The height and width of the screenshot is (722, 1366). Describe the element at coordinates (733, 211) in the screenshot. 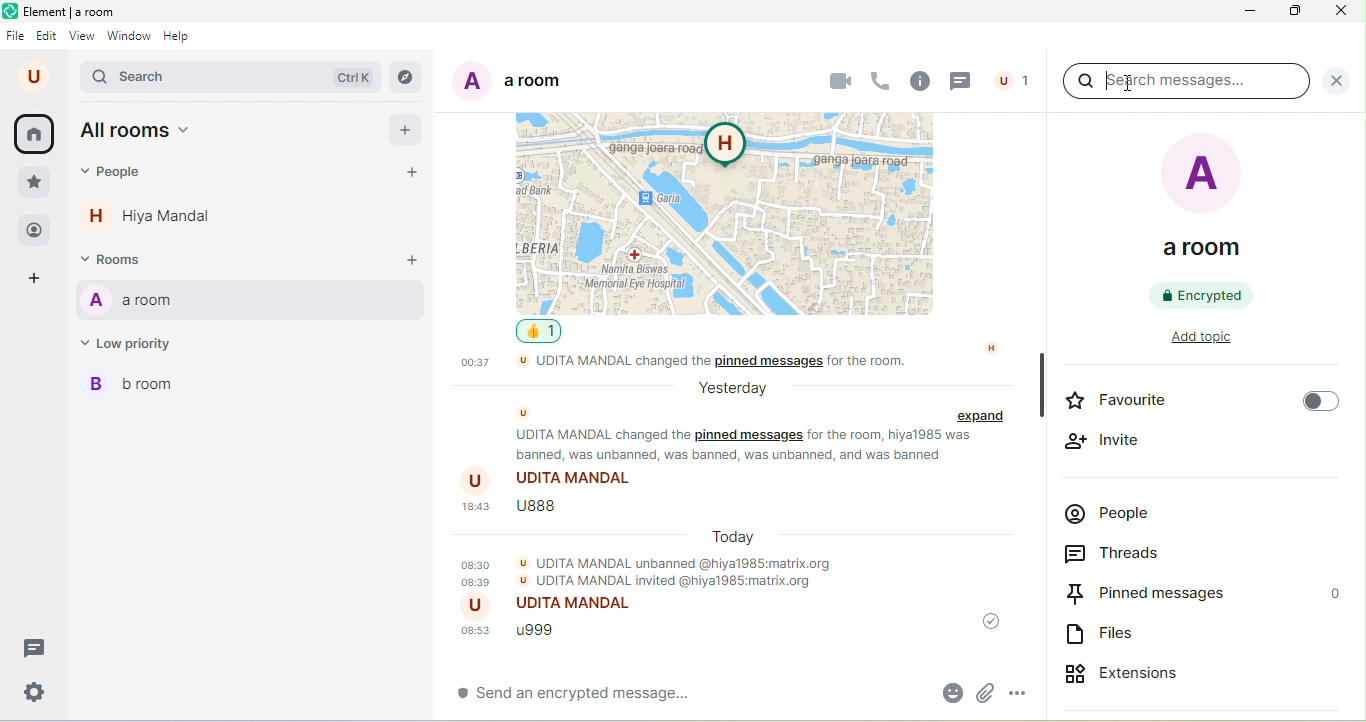

I see `location` at that location.